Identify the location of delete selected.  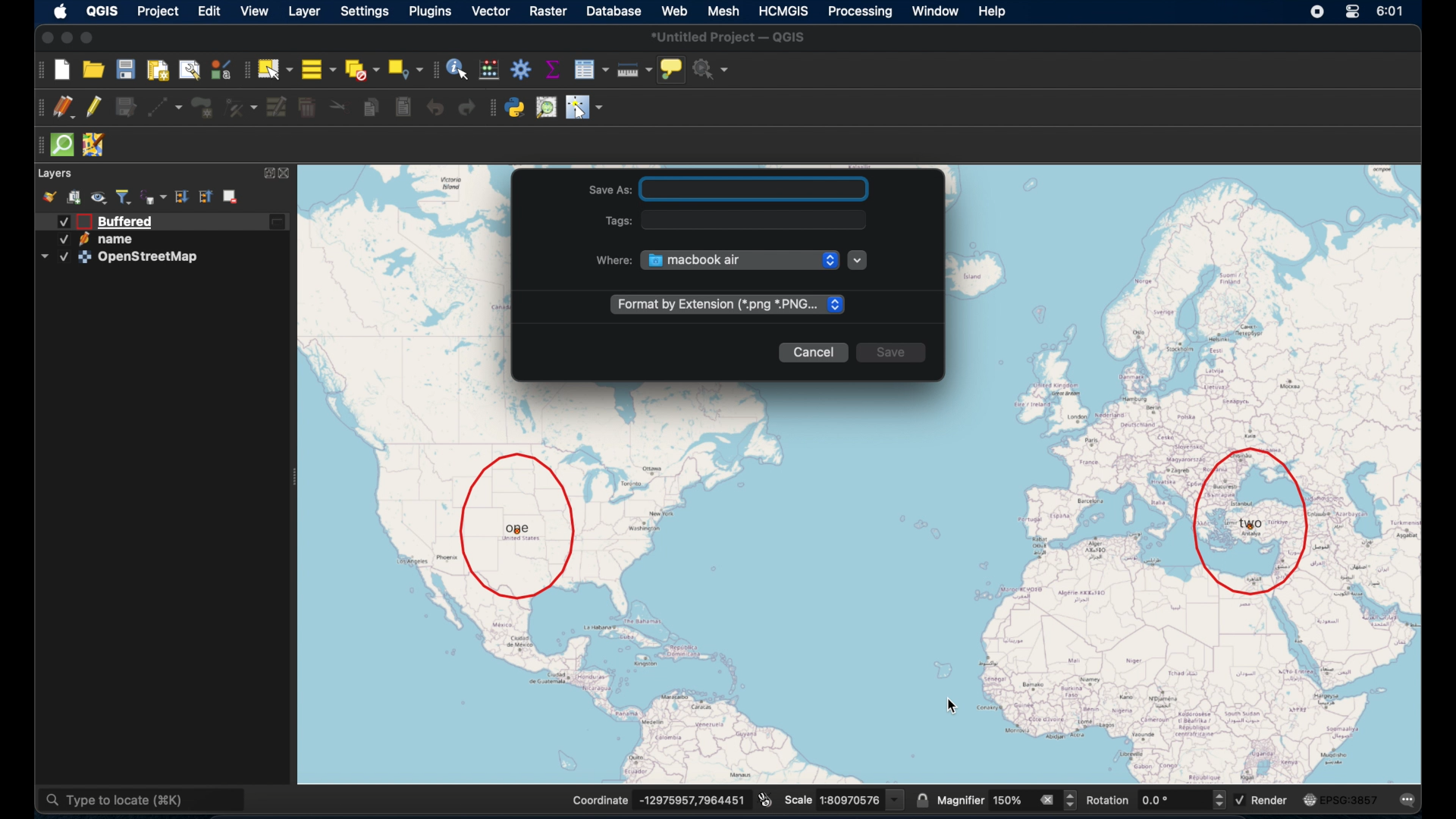
(309, 106).